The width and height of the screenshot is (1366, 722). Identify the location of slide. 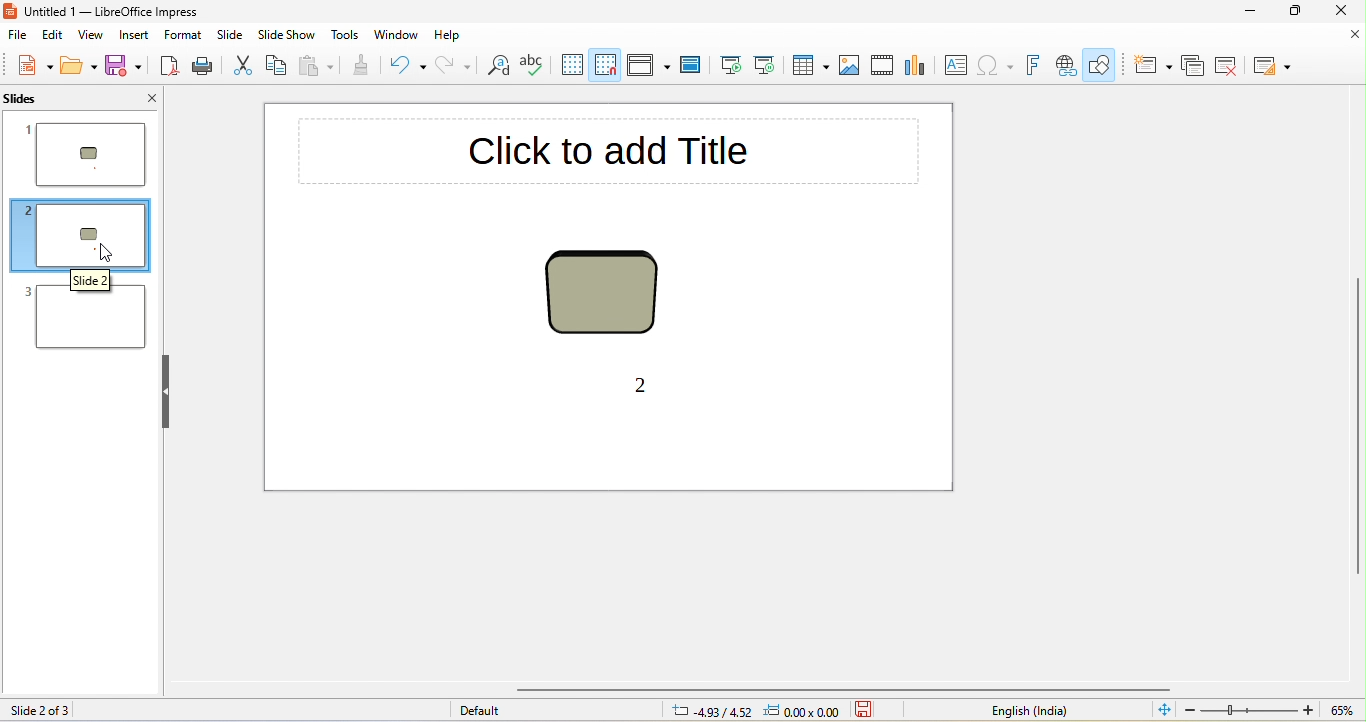
(228, 36).